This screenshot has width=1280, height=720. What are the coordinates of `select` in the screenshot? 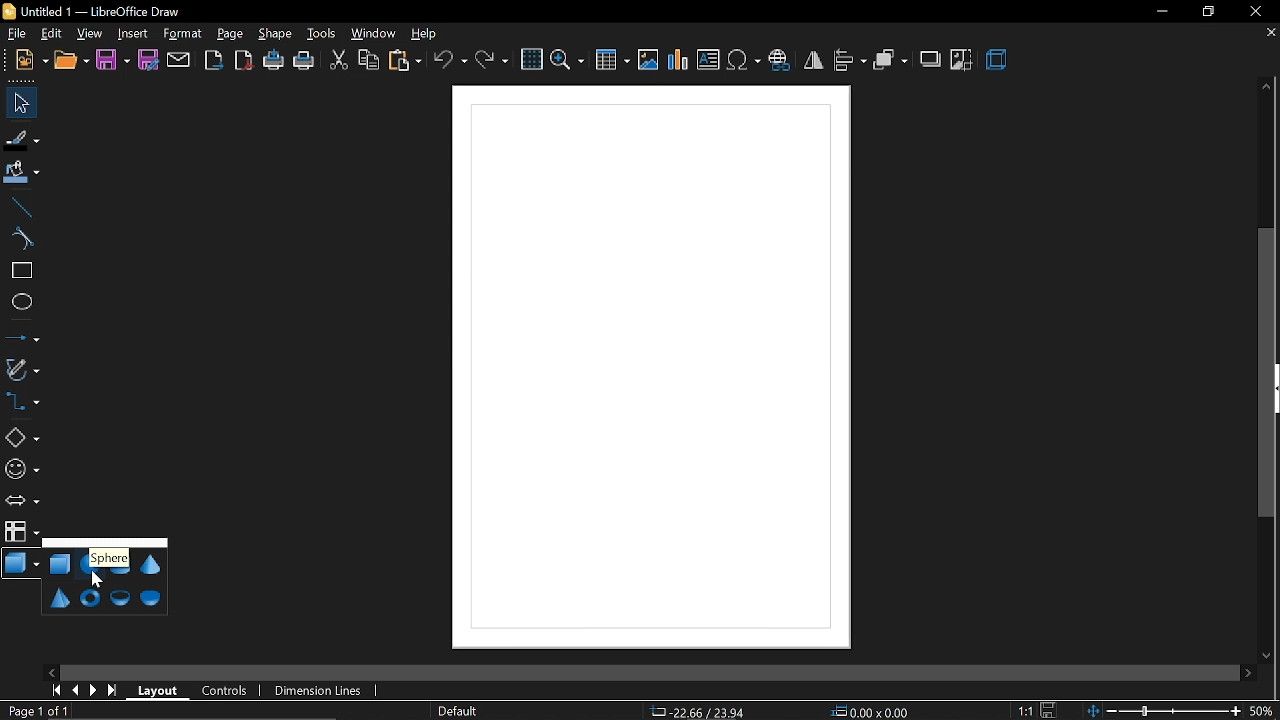 It's located at (18, 102).